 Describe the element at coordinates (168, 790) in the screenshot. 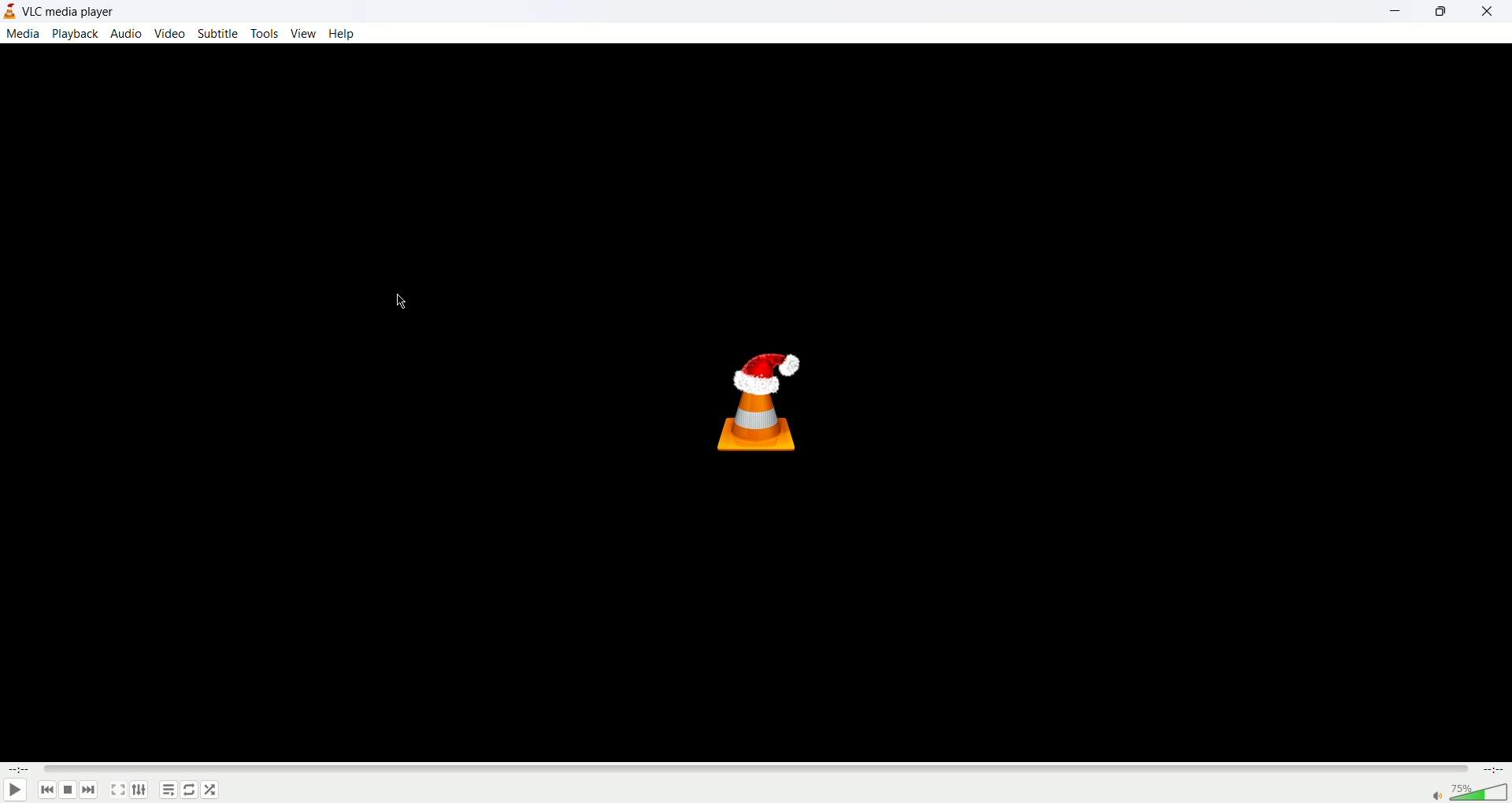

I see `playlist` at that location.